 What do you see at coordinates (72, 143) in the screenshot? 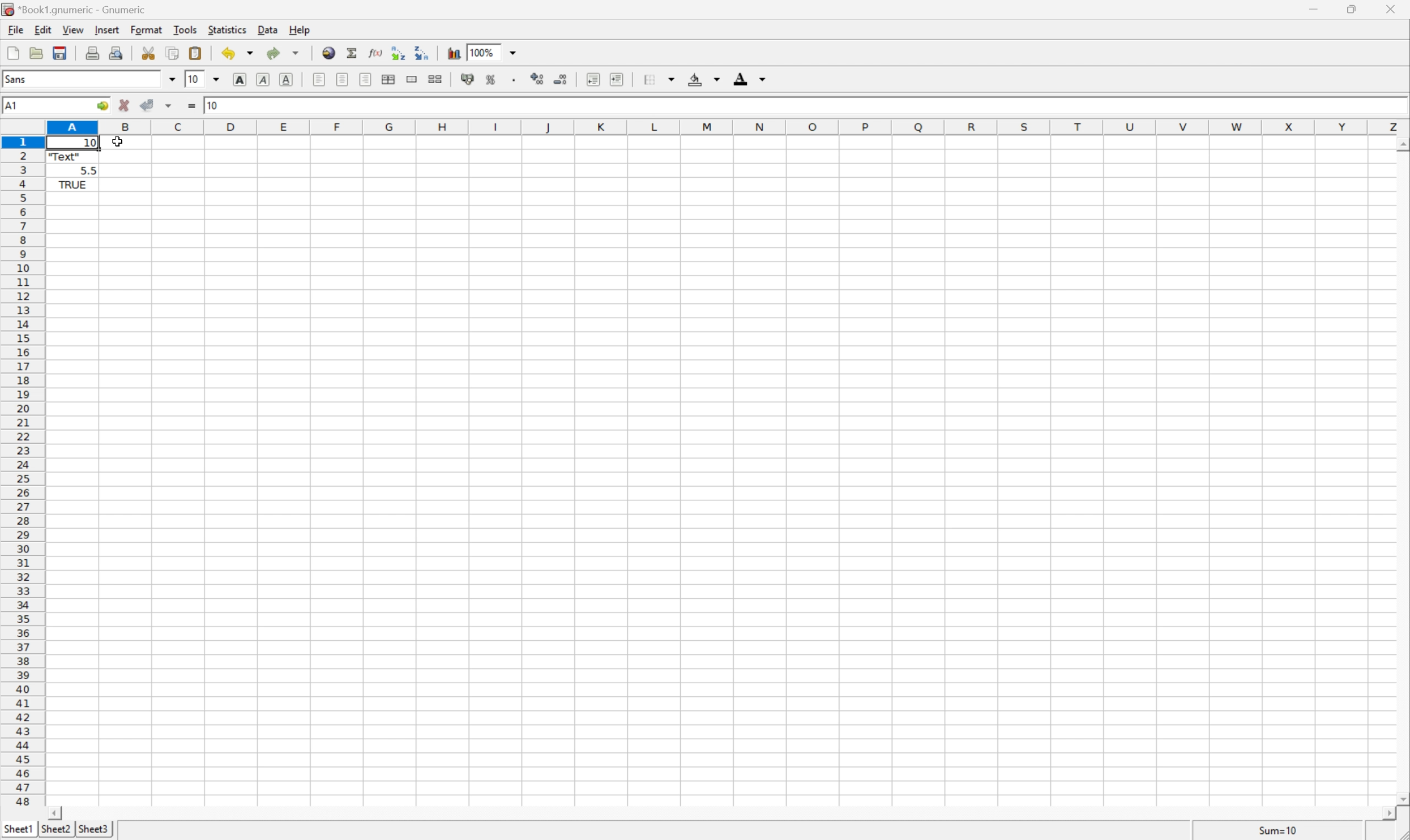
I see `10` at bounding box center [72, 143].